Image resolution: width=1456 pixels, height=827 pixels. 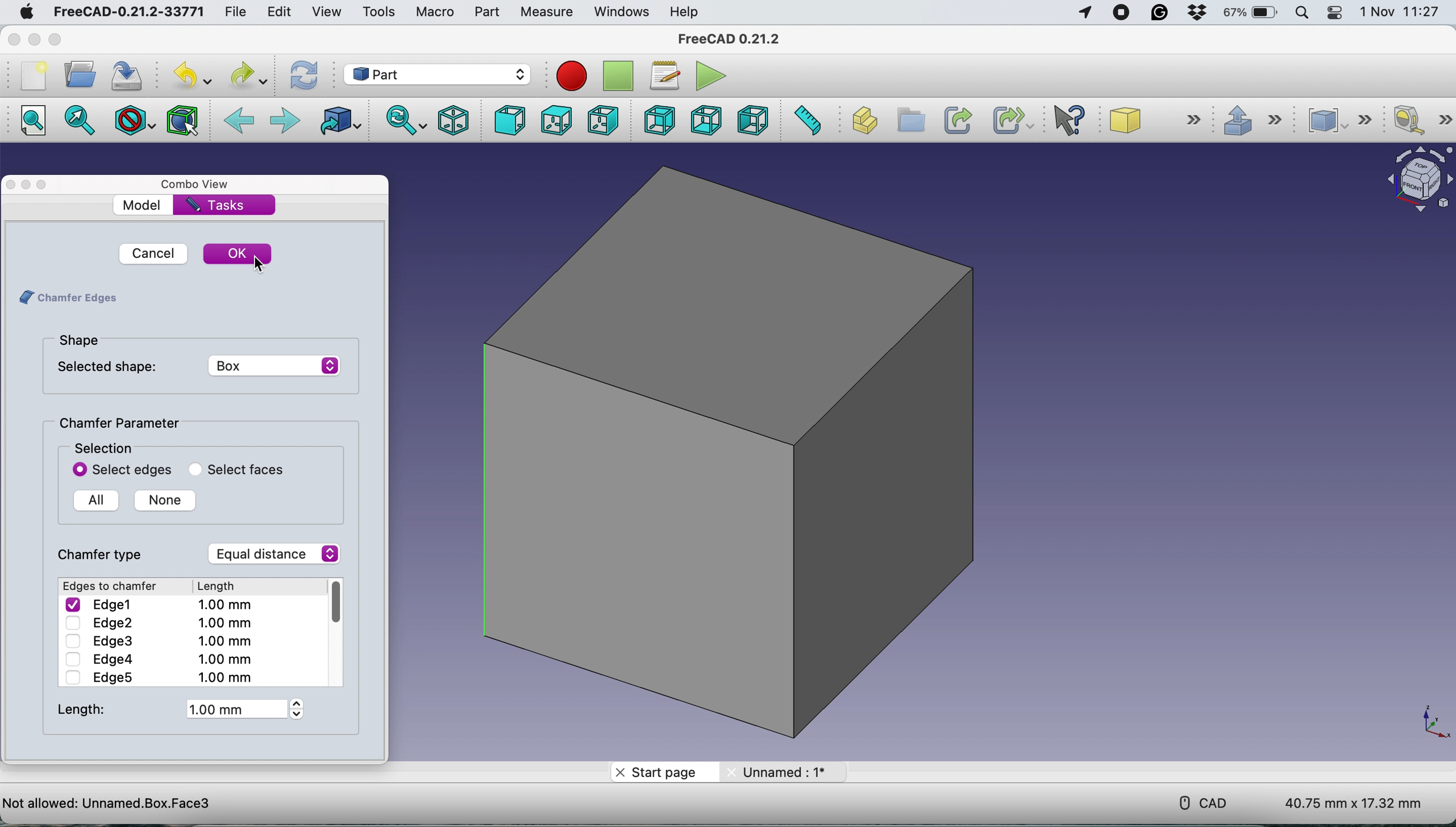 What do you see at coordinates (658, 772) in the screenshot?
I see `start page` at bounding box center [658, 772].